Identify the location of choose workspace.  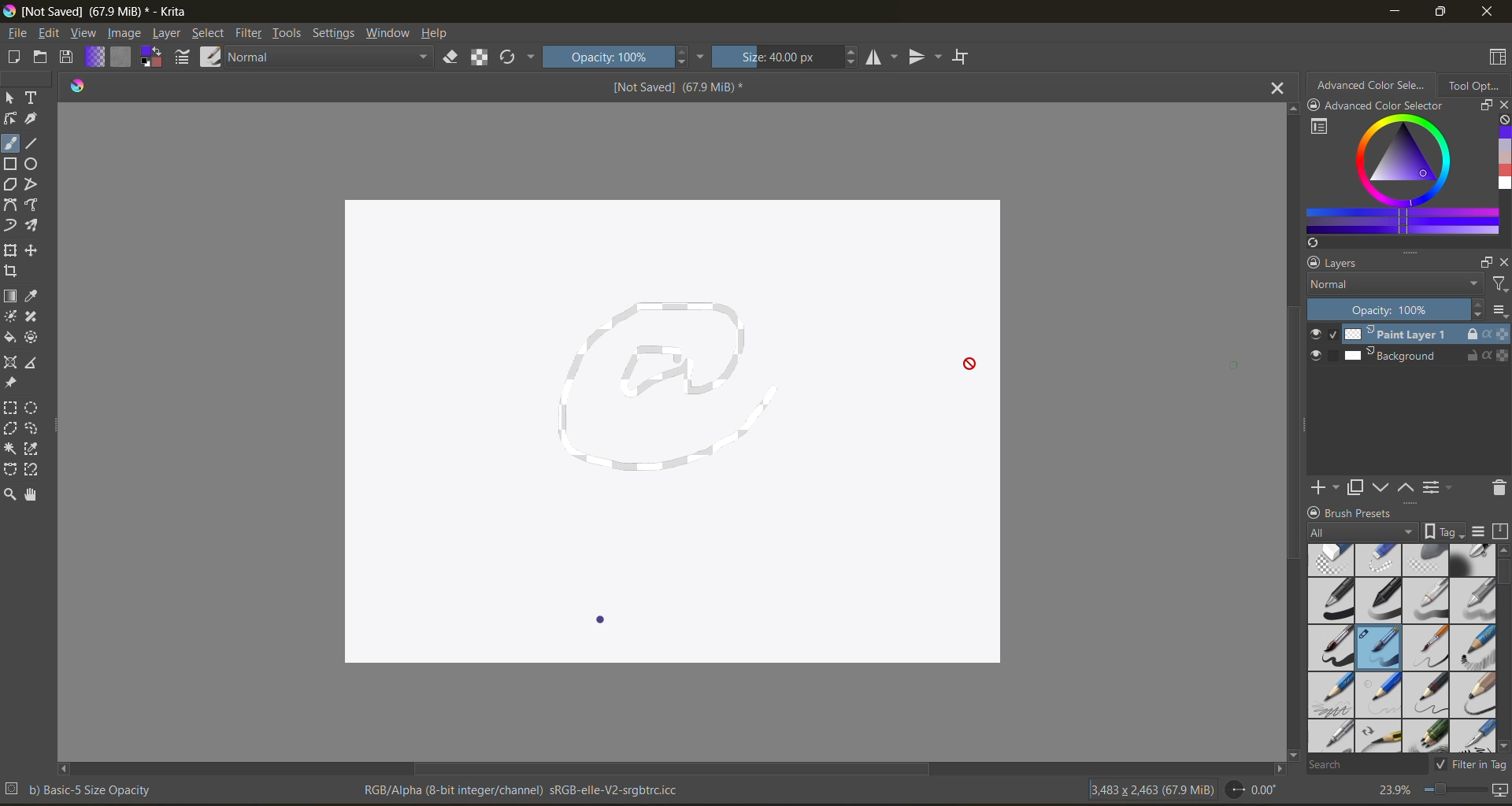
(1496, 59).